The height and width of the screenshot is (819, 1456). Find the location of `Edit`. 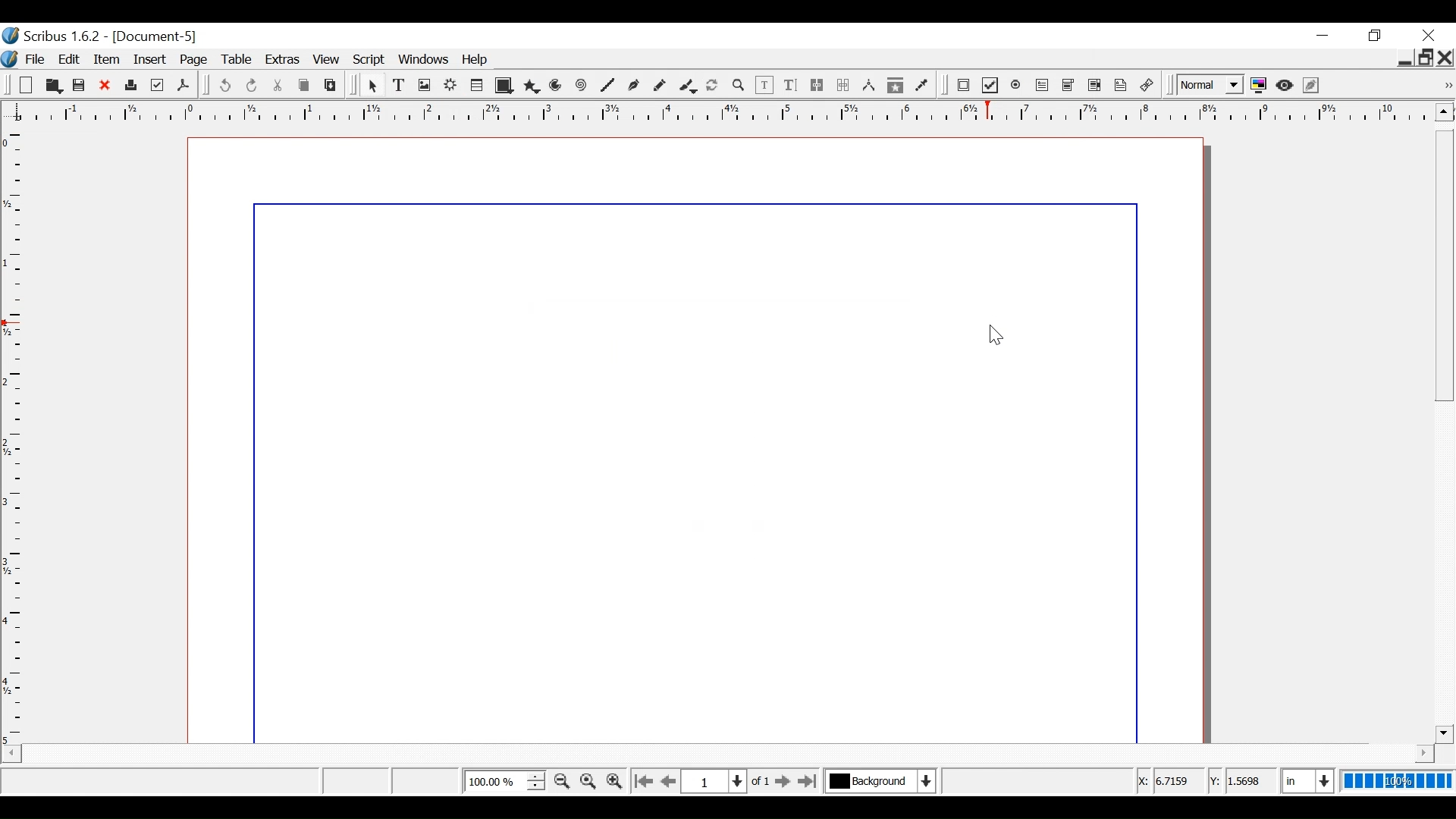

Edit is located at coordinates (71, 59).